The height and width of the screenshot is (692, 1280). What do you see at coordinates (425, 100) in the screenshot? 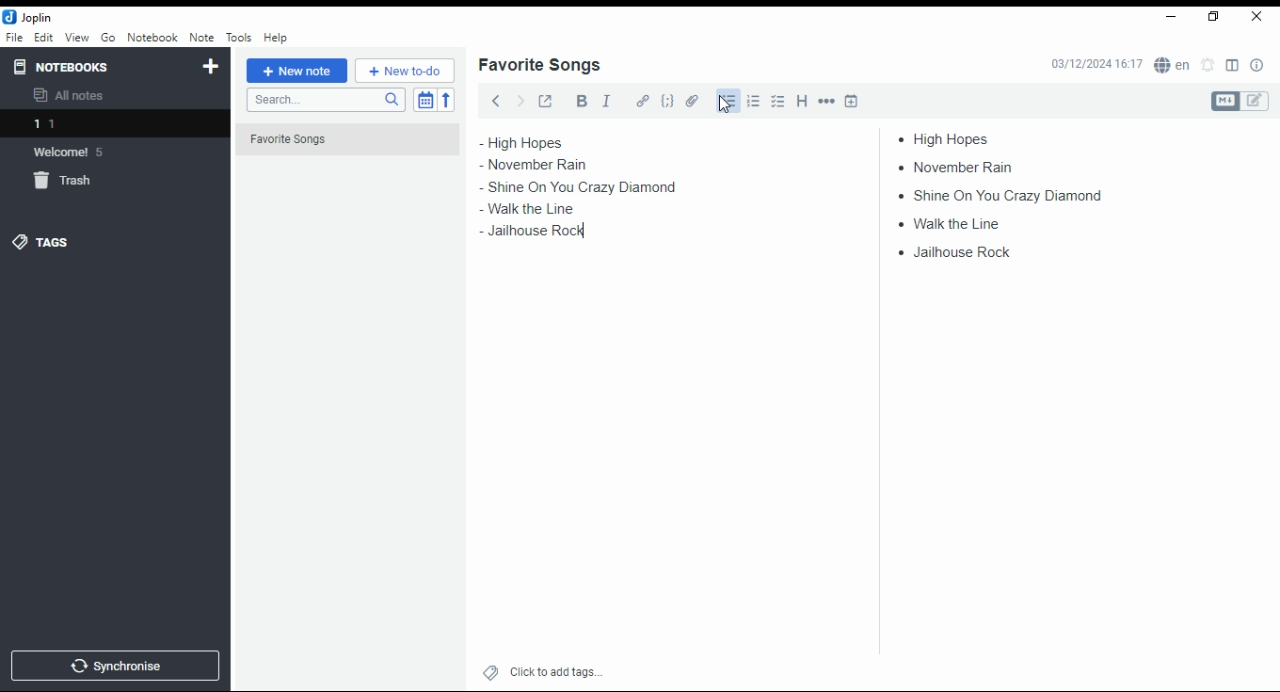
I see `toggle sort order field` at bounding box center [425, 100].